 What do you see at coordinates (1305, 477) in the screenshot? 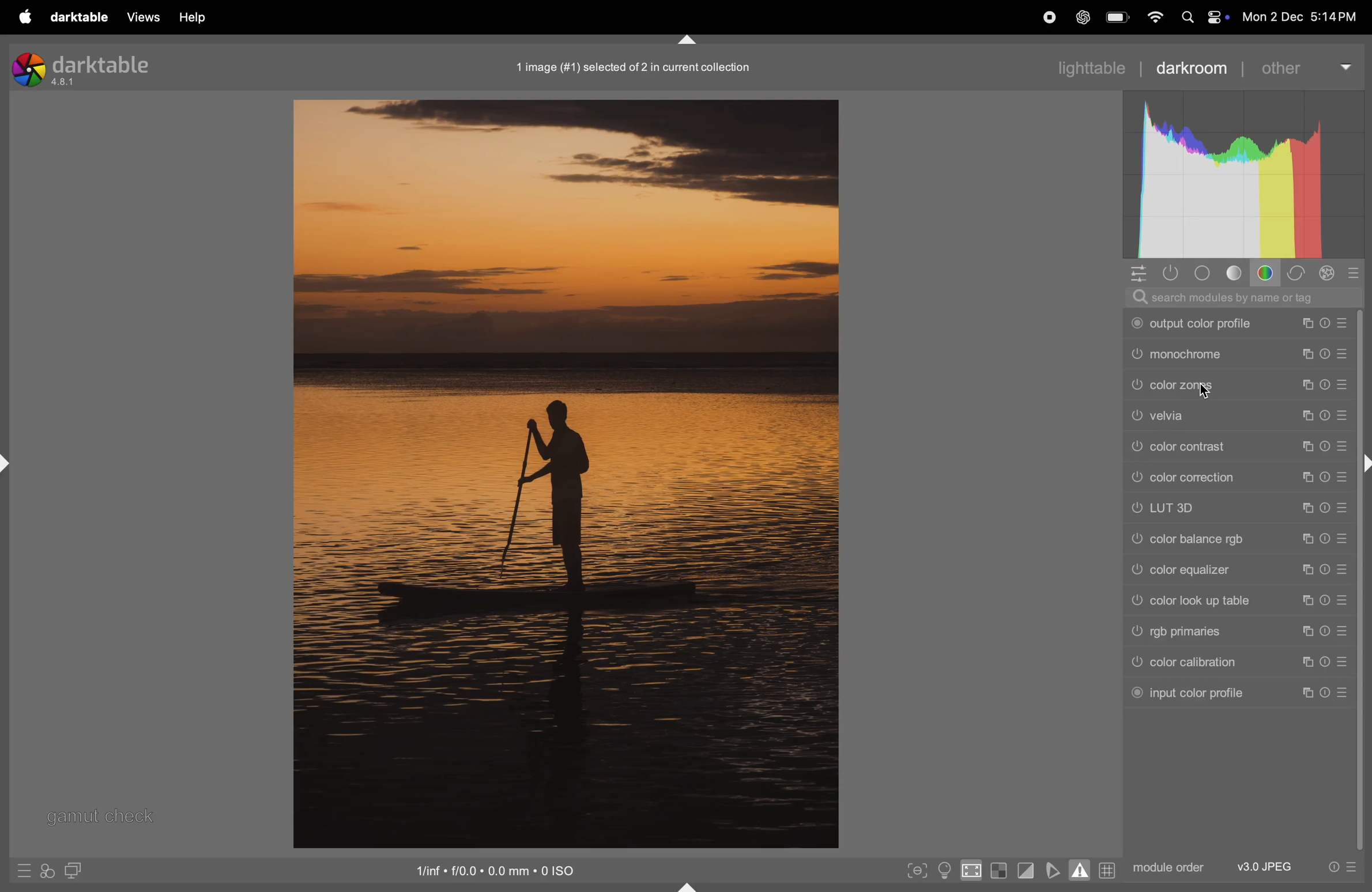
I see `copy` at bounding box center [1305, 477].